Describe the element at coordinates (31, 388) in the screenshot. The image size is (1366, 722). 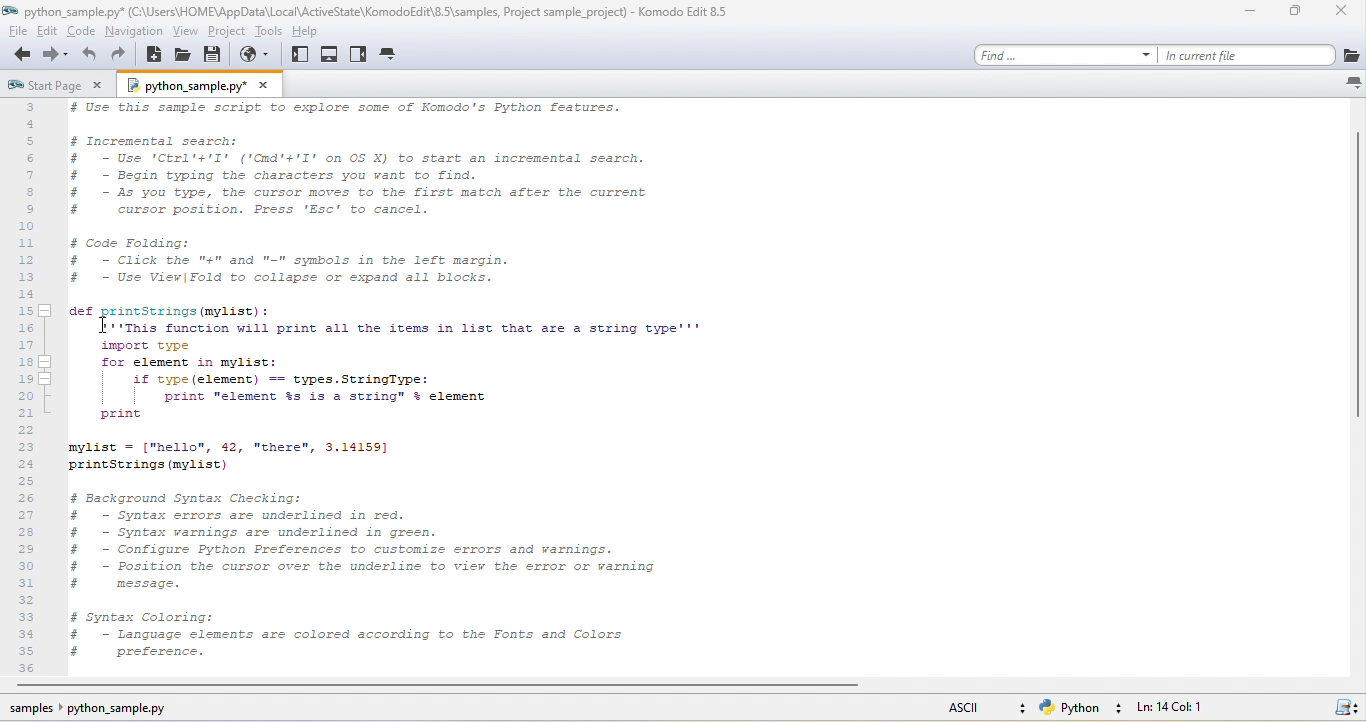
I see `line numbers` at that location.